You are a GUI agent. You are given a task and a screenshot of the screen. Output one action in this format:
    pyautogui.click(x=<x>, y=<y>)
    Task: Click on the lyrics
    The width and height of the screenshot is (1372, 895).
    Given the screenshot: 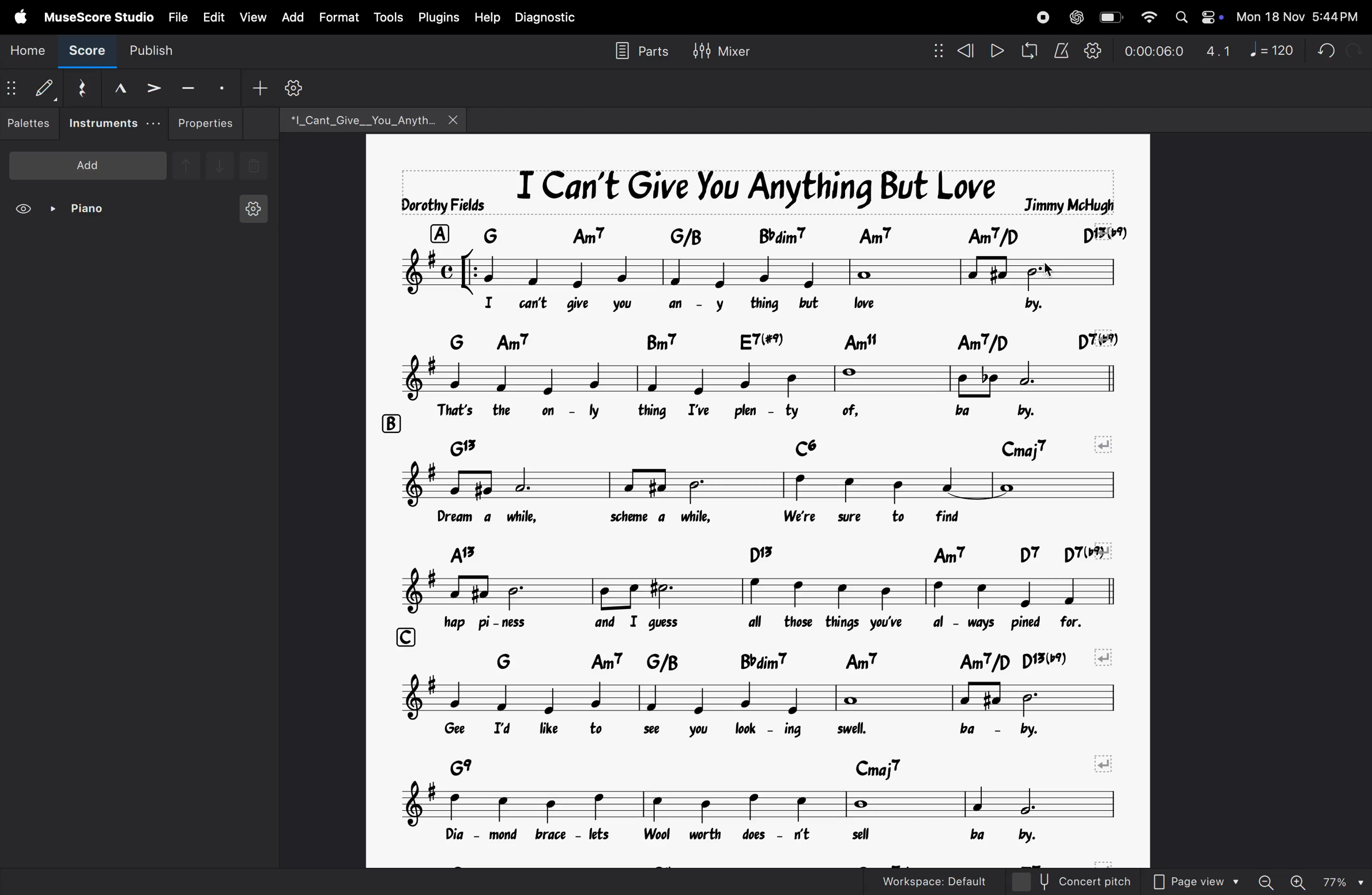 What is the action you would take?
    pyautogui.click(x=771, y=731)
    